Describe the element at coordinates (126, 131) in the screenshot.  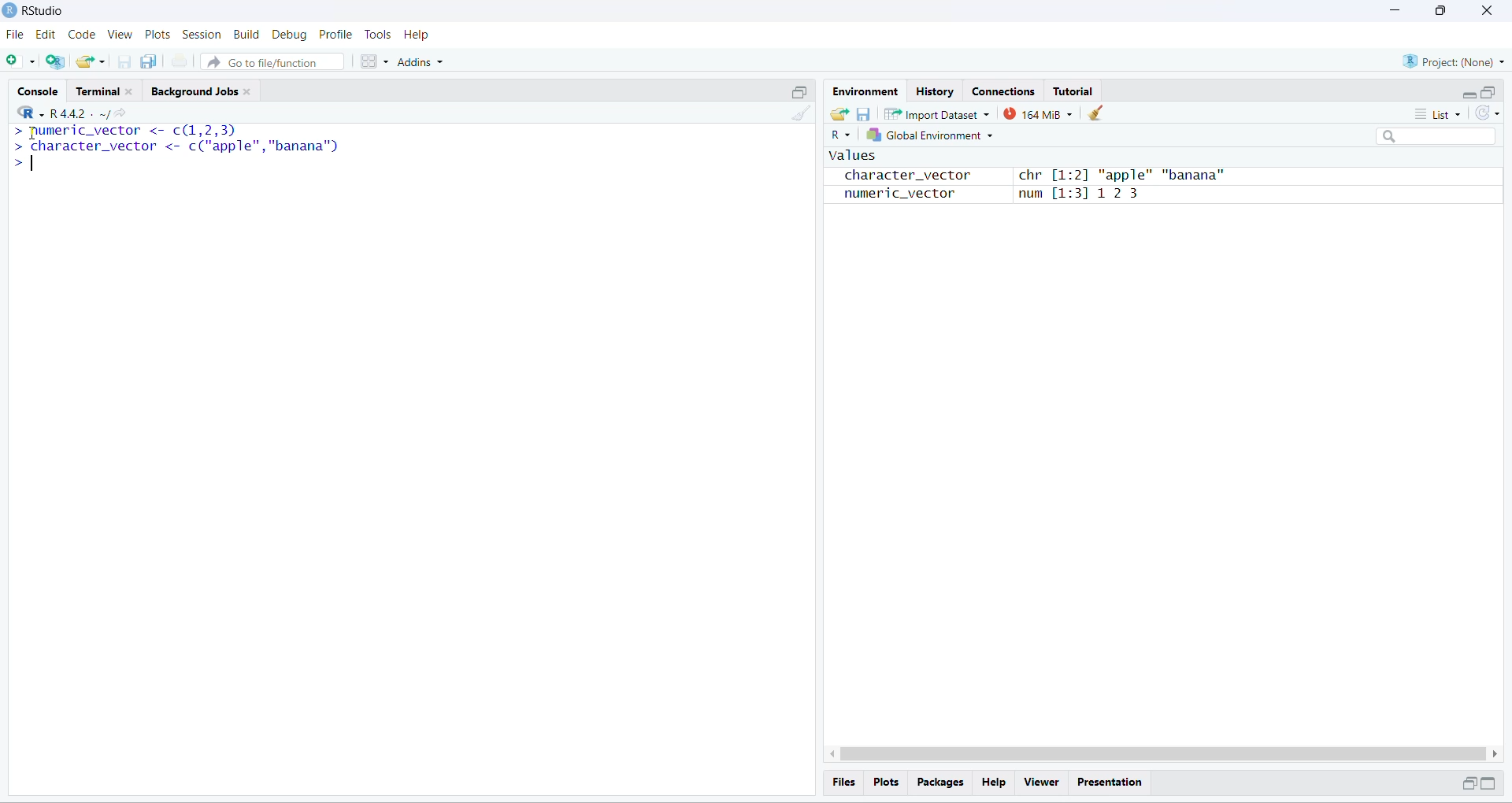
I see `numeric_vector <- c(1,2,3p` at that location.